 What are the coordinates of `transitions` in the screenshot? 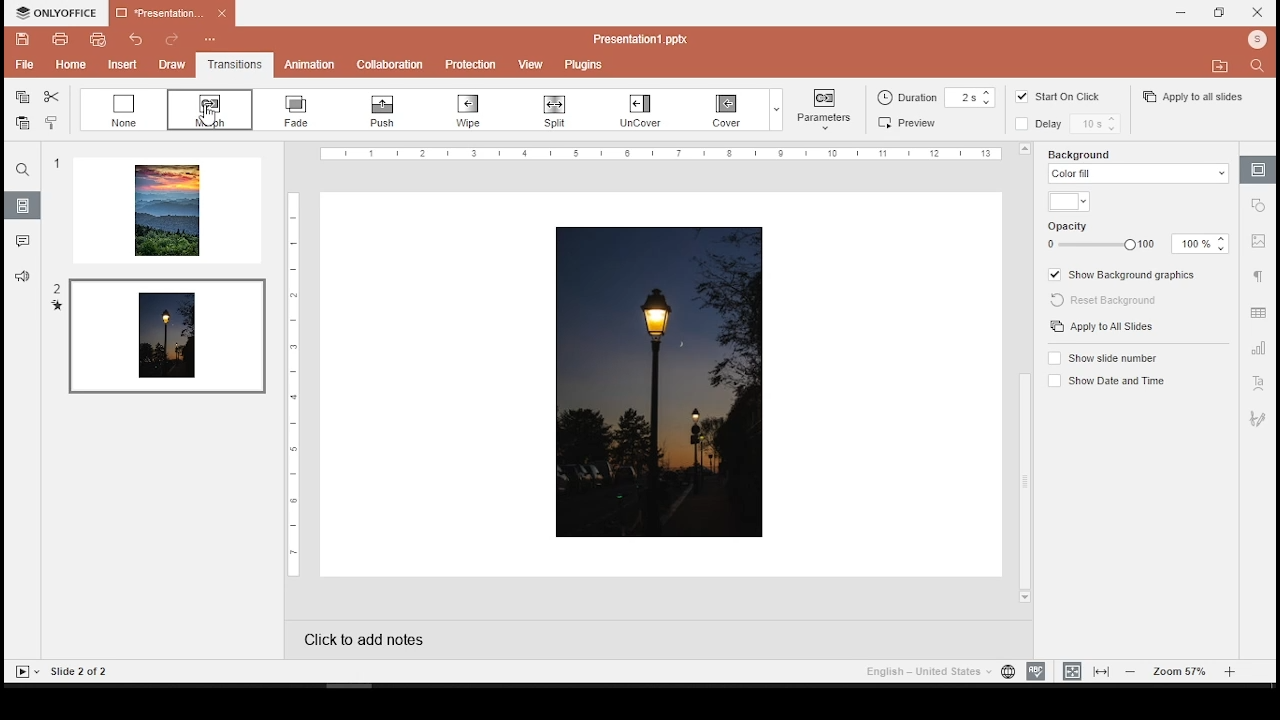 It's located at (232, 64).